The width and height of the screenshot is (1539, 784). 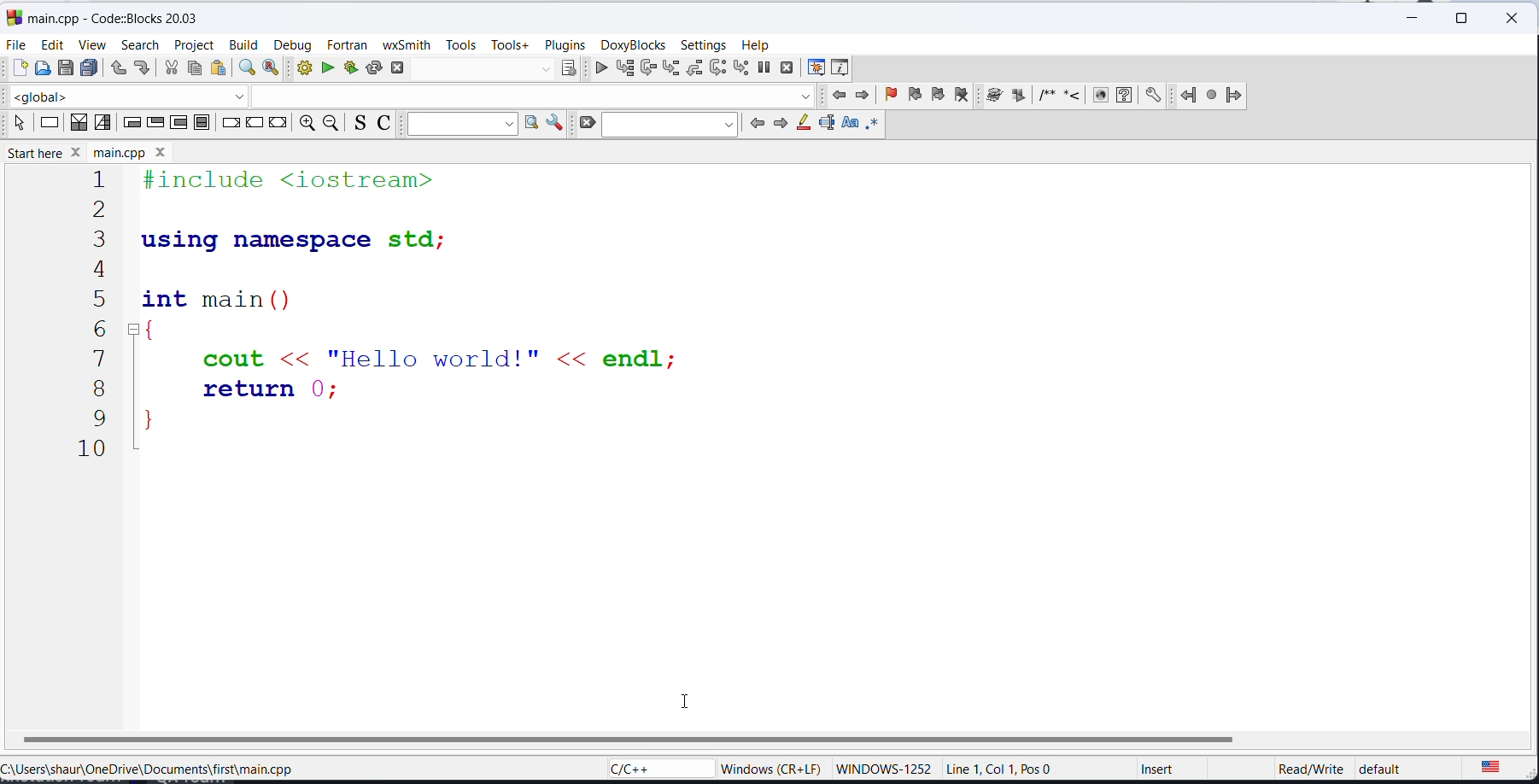 I want to click on icon, so click(x=1070, y=98).